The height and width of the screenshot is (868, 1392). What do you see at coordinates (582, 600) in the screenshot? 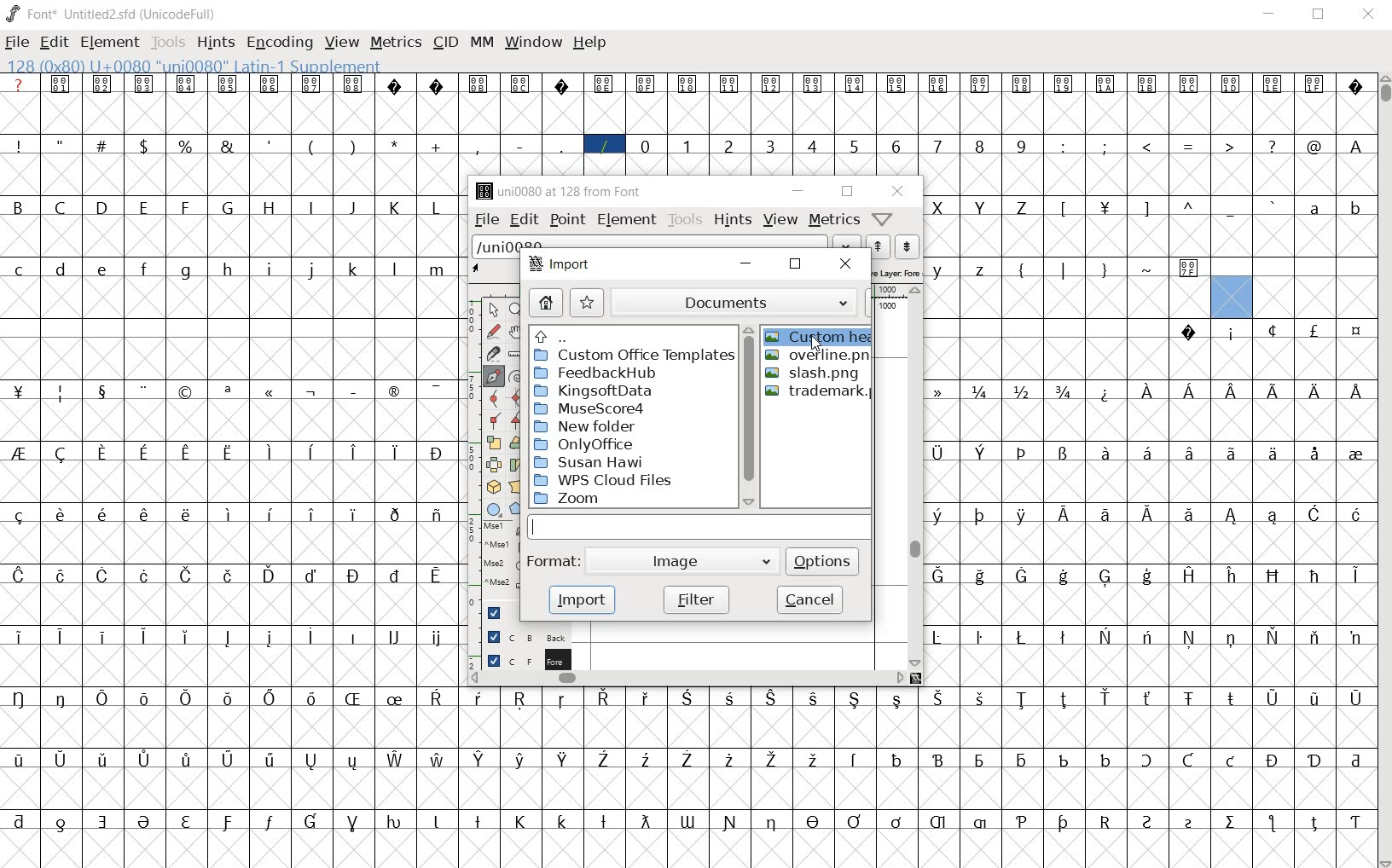
I see `import` at bounding box center [582, 600].